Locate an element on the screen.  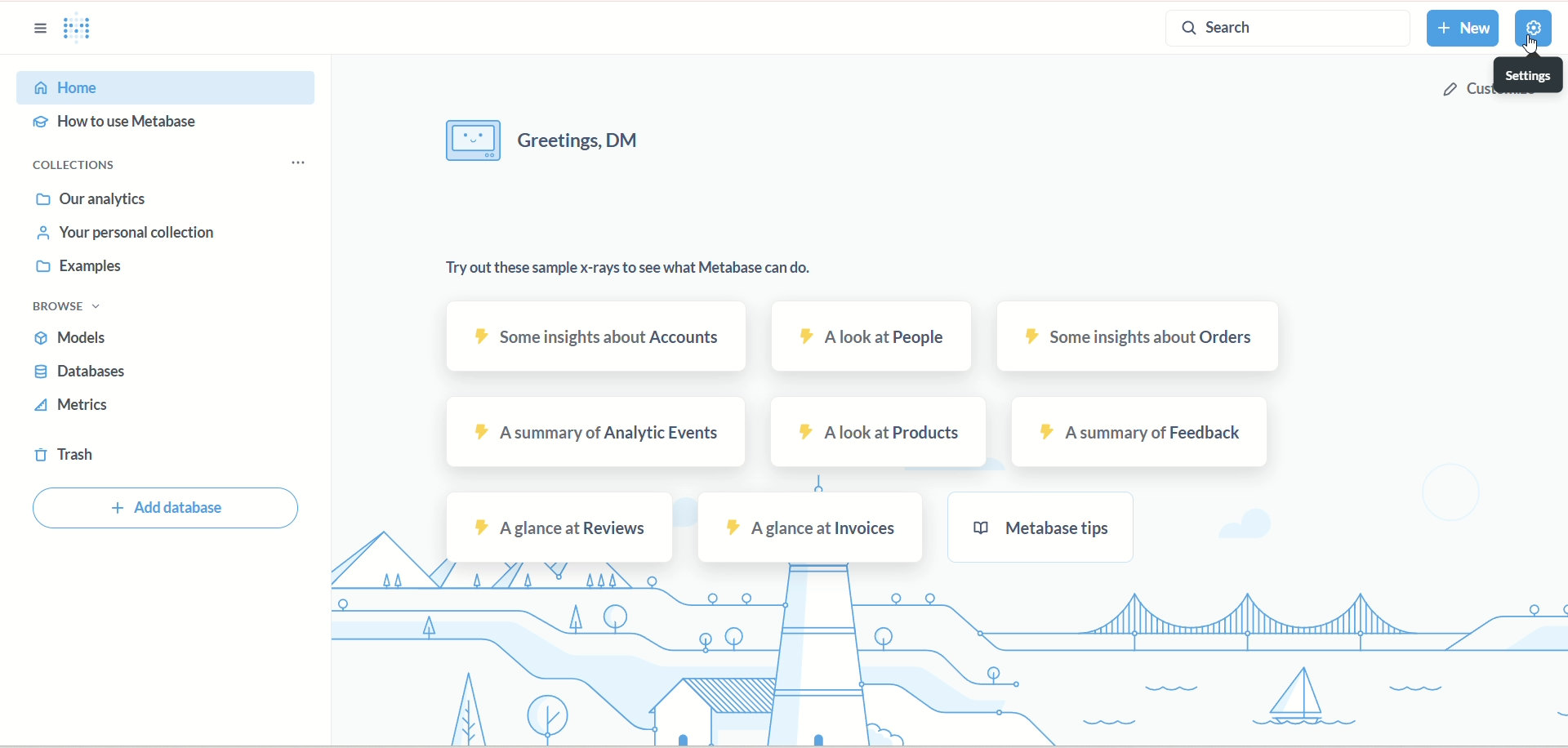
our analytics is located at coordinates (92, 203).